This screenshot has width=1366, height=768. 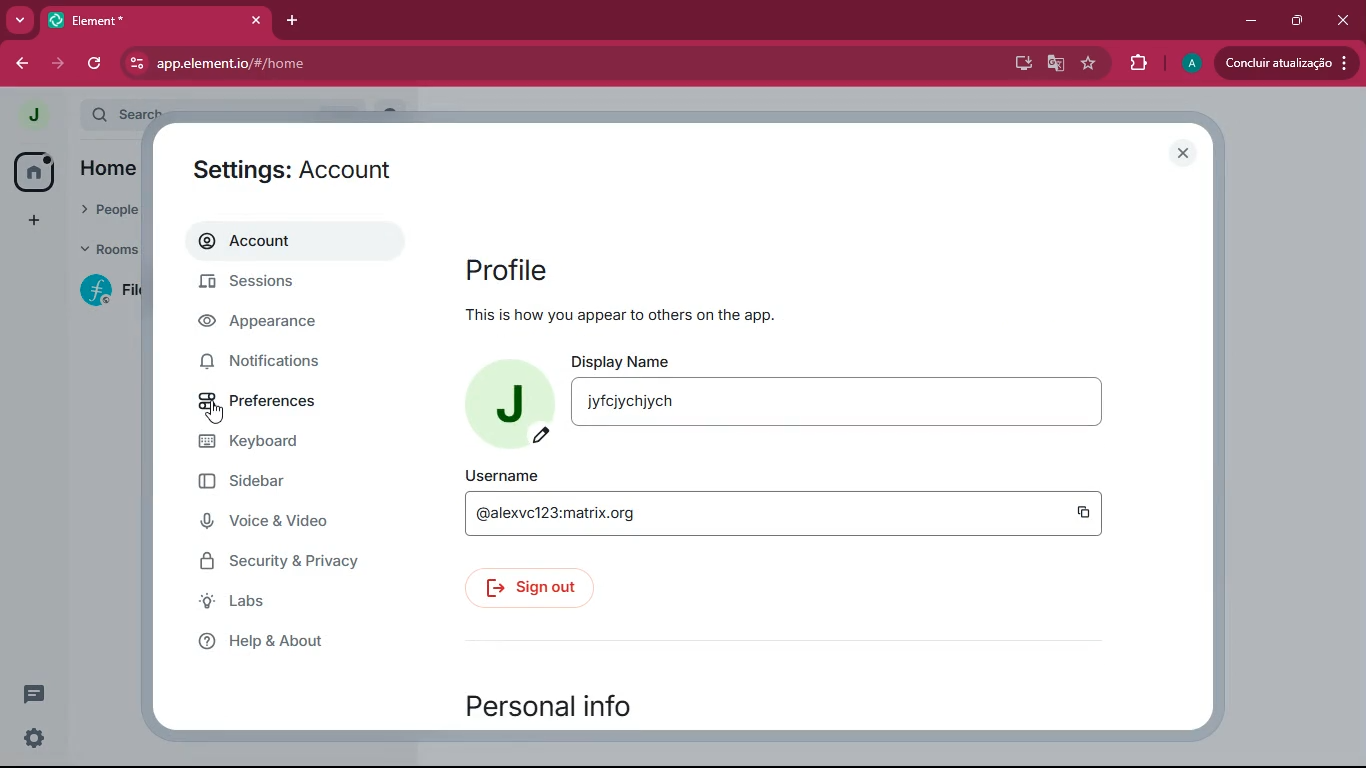 What do you see at coordinates (280, 563) in the screenshot?
I see `security & privacy` at bounding box center [280, 563].